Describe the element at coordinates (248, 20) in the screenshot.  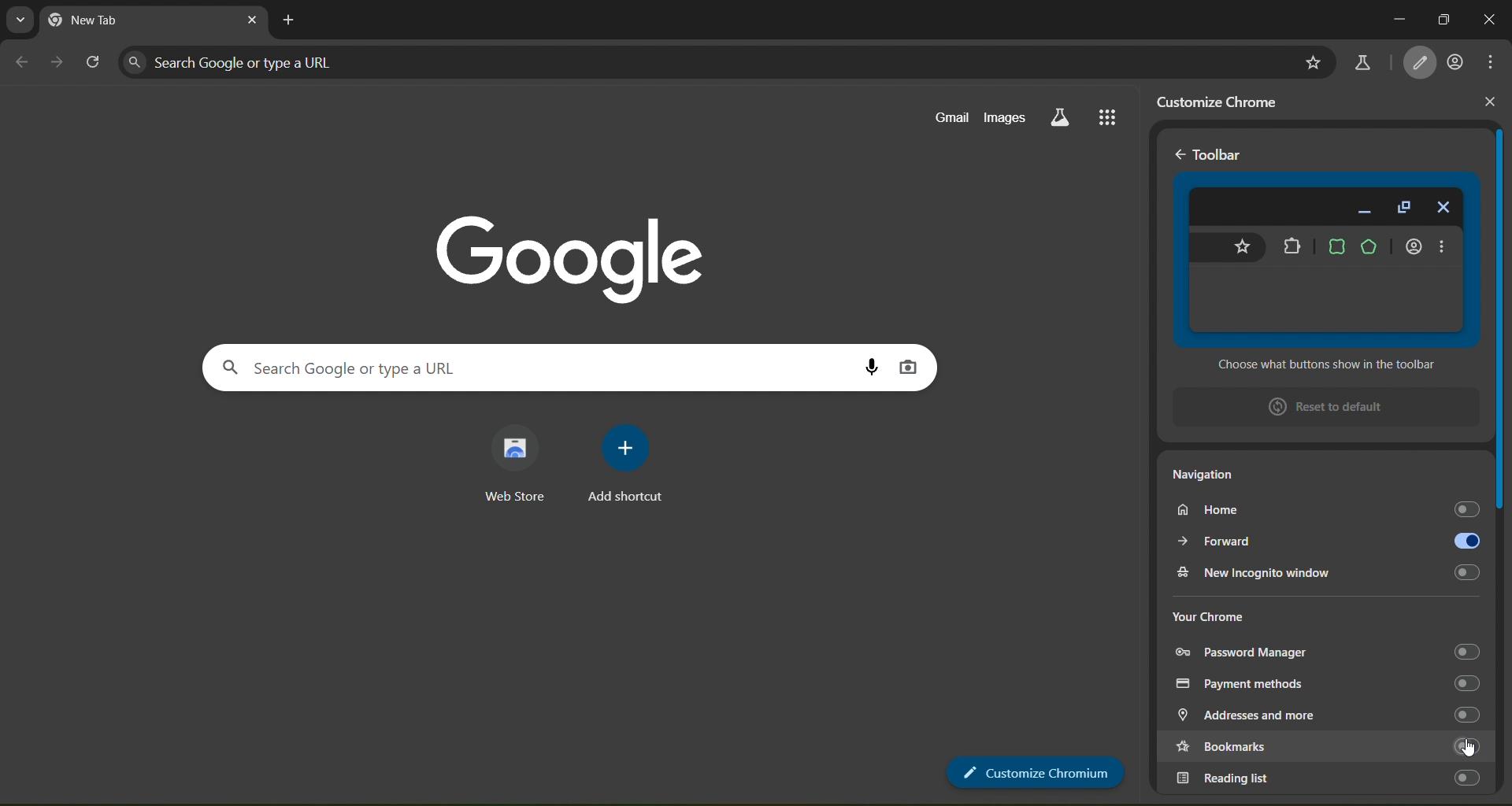
I see `close` at that location.